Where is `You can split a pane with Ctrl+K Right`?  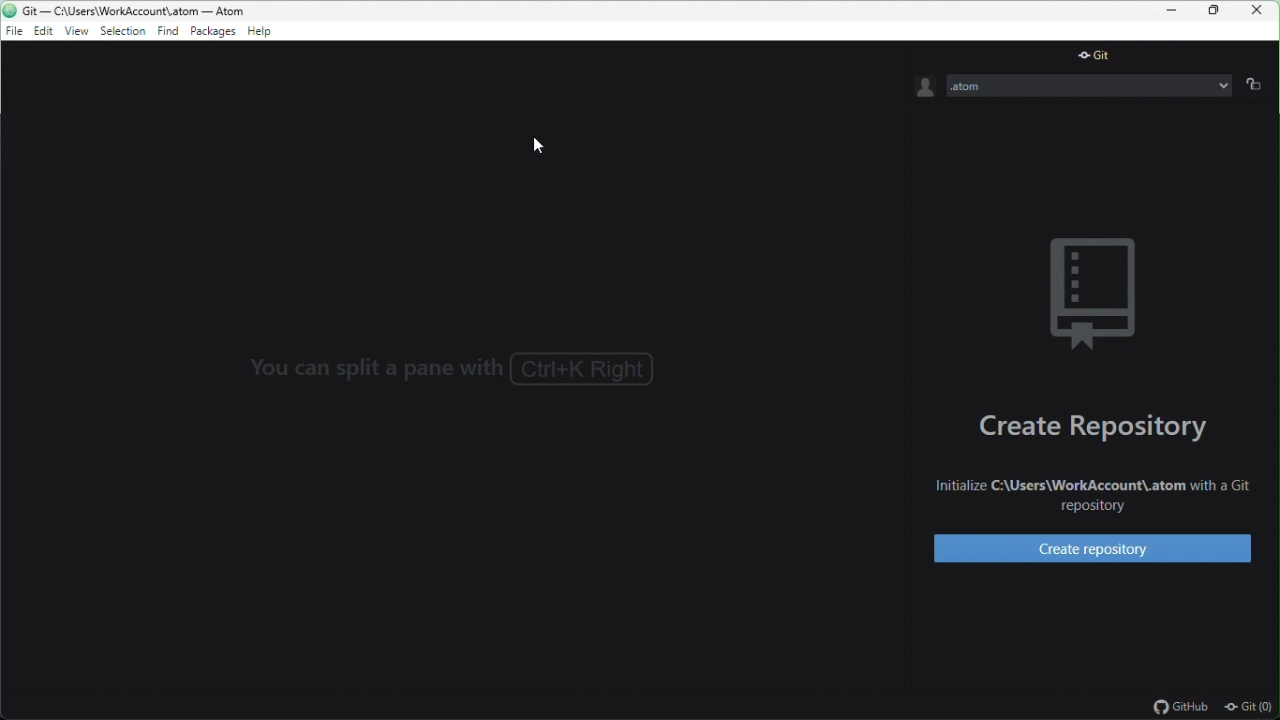
You can split a pane with Ctrl+K Right is located at coordinates (455, 366).